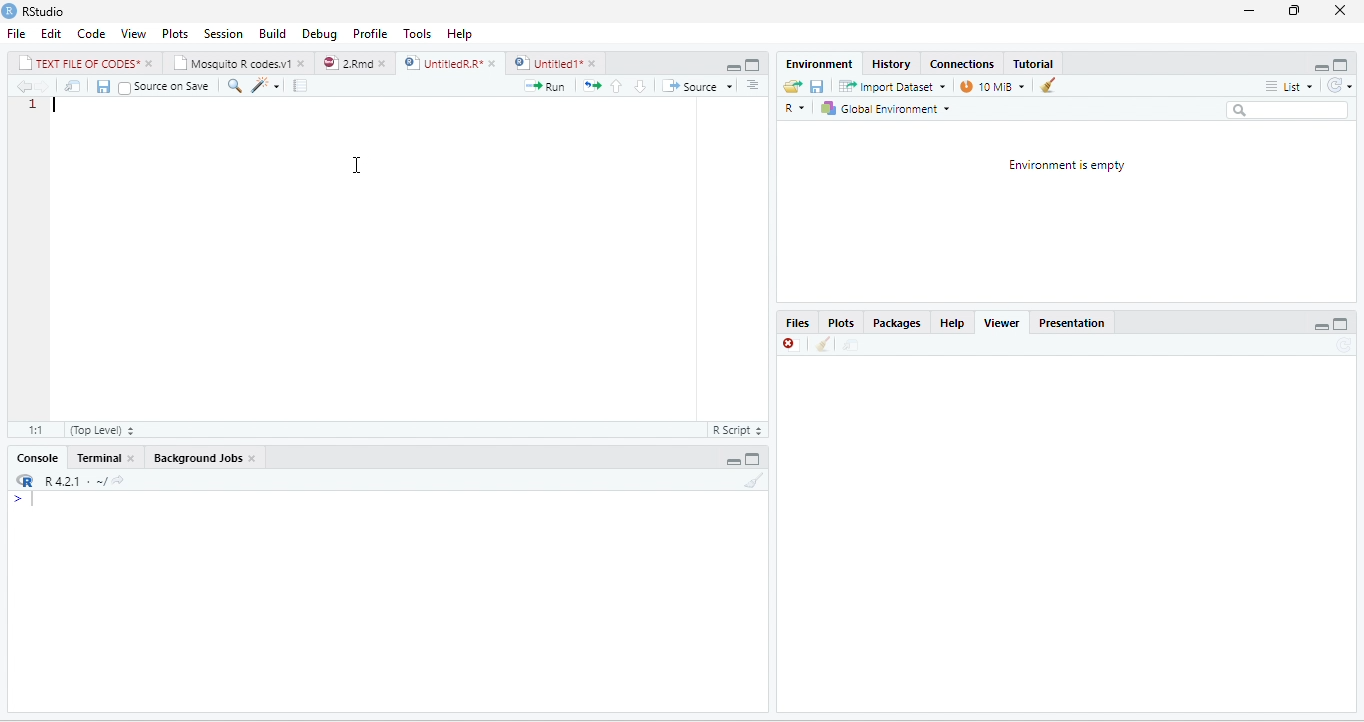  What do you see at coordinates (254, 458) in the screenshot?
I see `close` at bounding box center [254, 458].